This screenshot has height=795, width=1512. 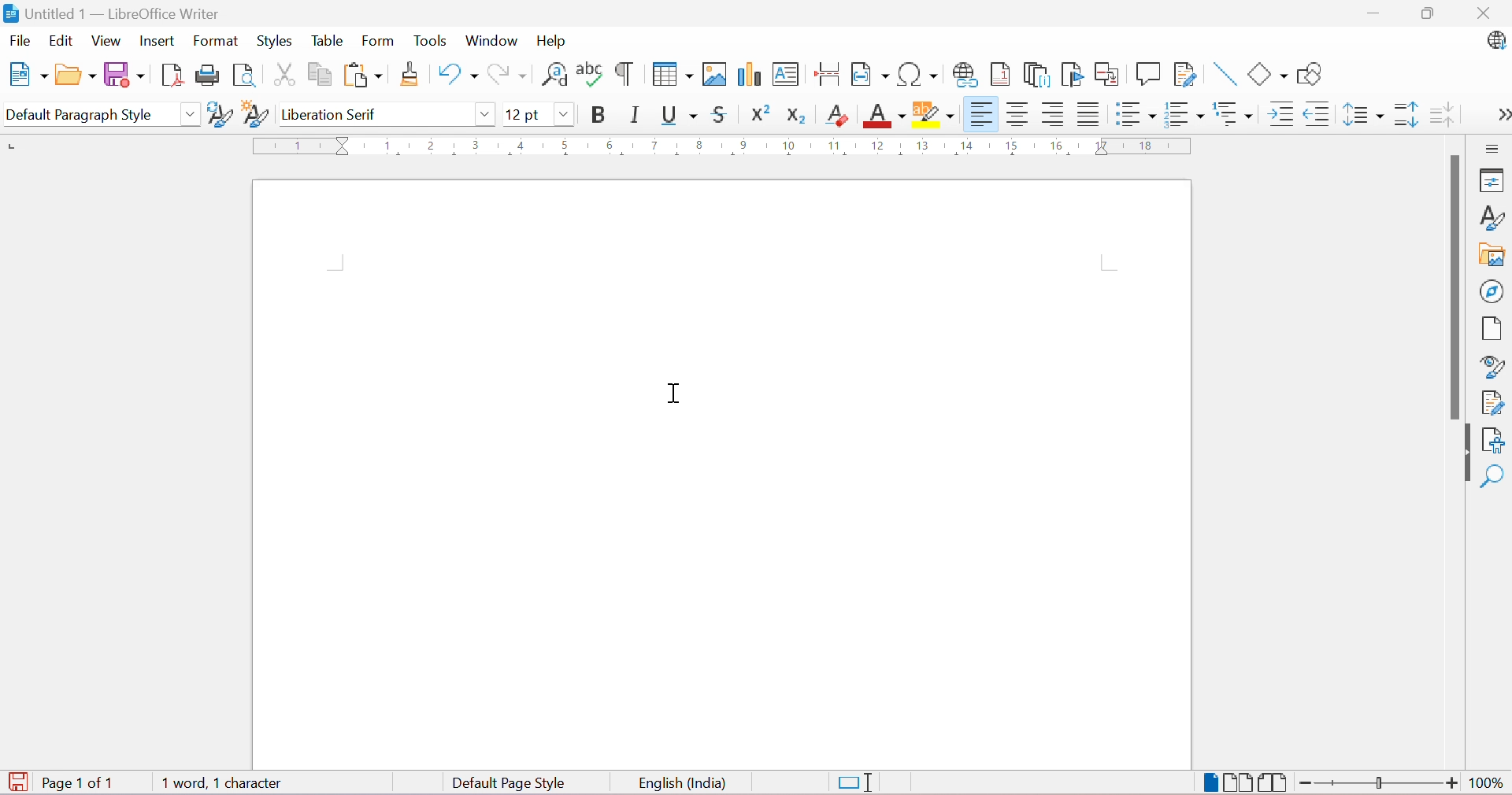 I want to click on Find and Replace, so click(x=555, y=79).